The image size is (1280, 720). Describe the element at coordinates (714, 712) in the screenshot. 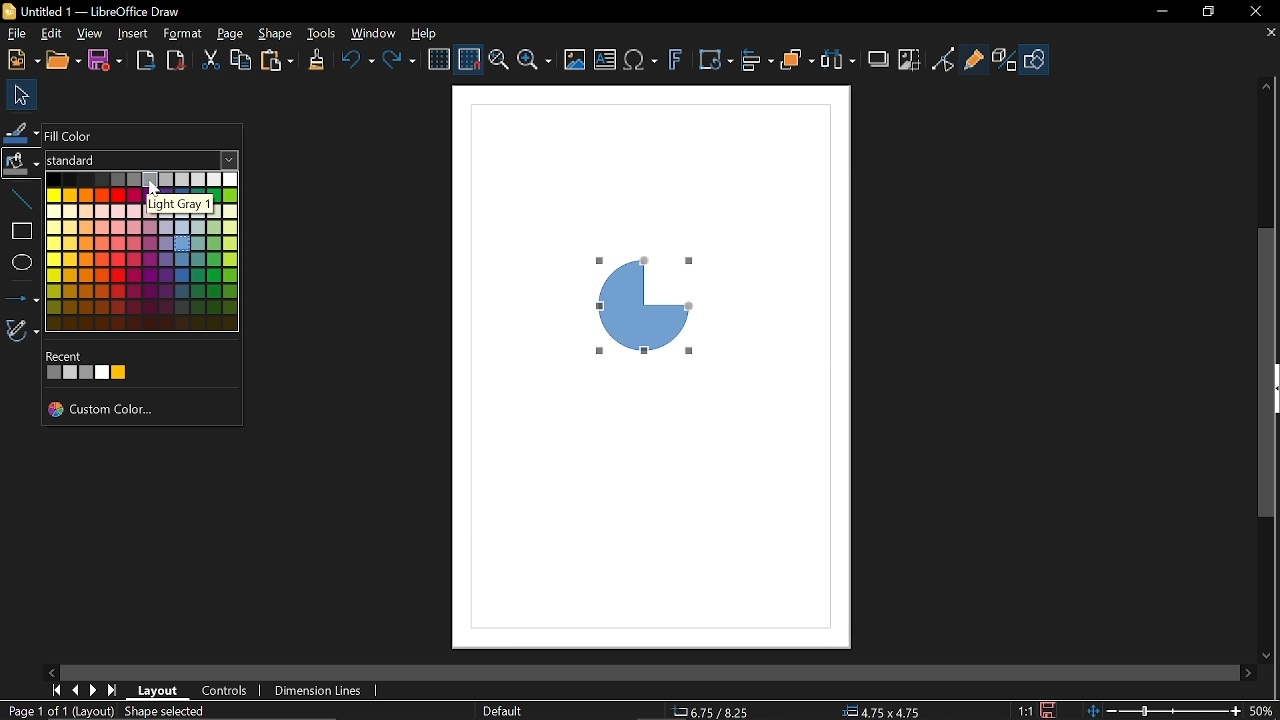

I see `6.75/8.25 (cursor position)` at that location.